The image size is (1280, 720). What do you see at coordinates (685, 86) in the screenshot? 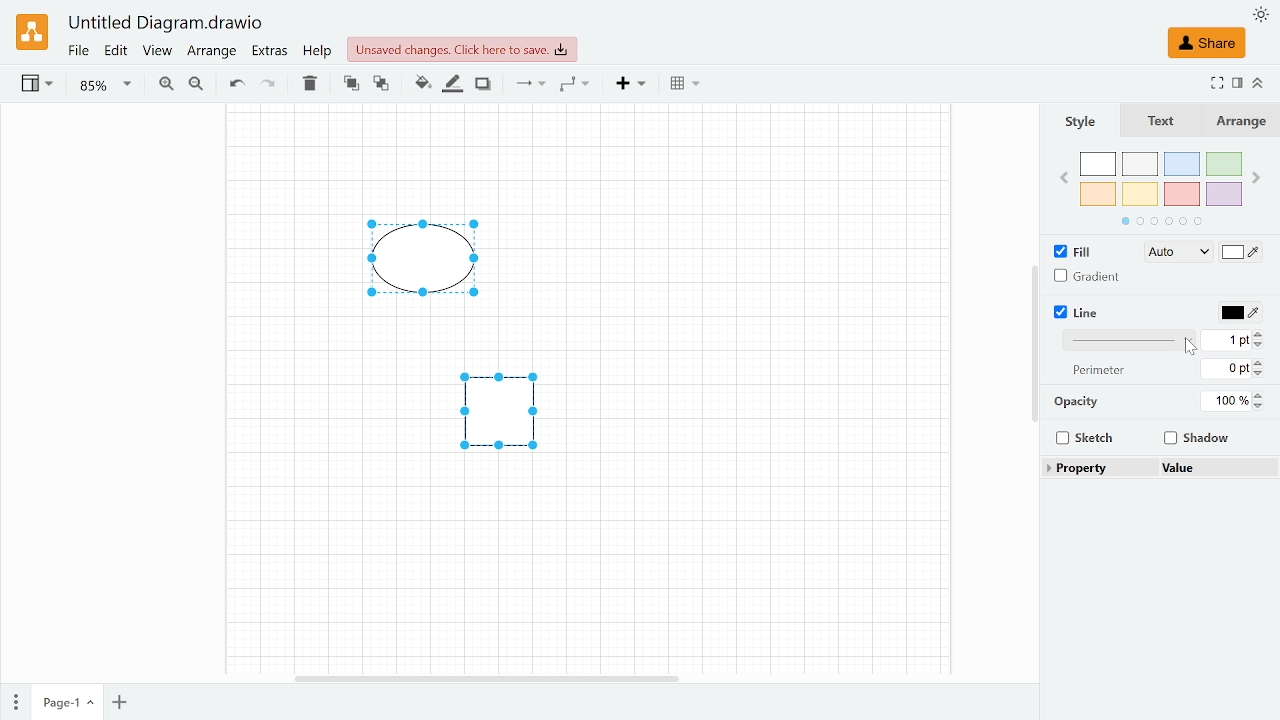
I see `Table` at bounding box center [685, 86].